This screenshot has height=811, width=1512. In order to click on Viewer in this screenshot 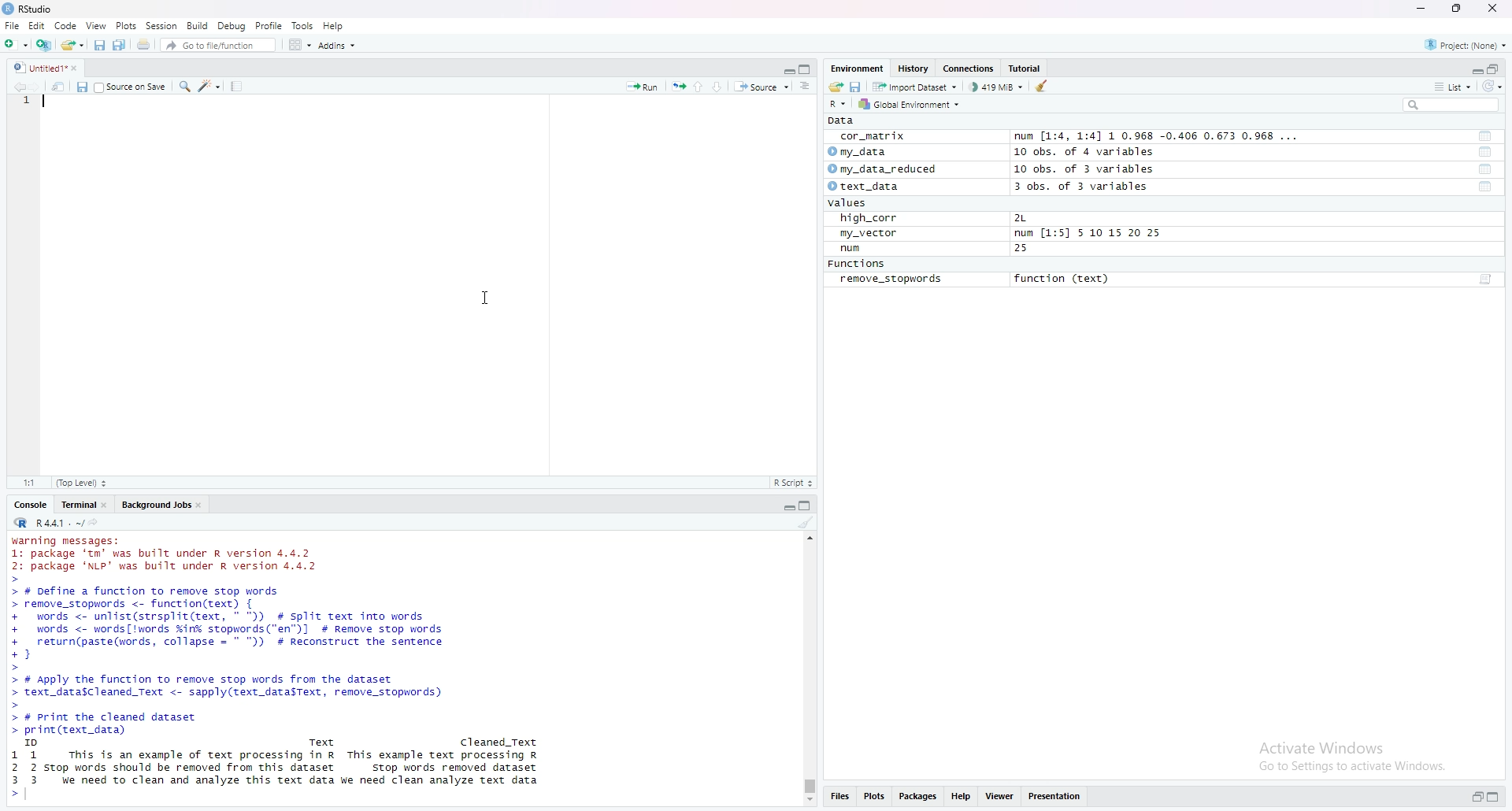, I will do `click(1001, 797)`.